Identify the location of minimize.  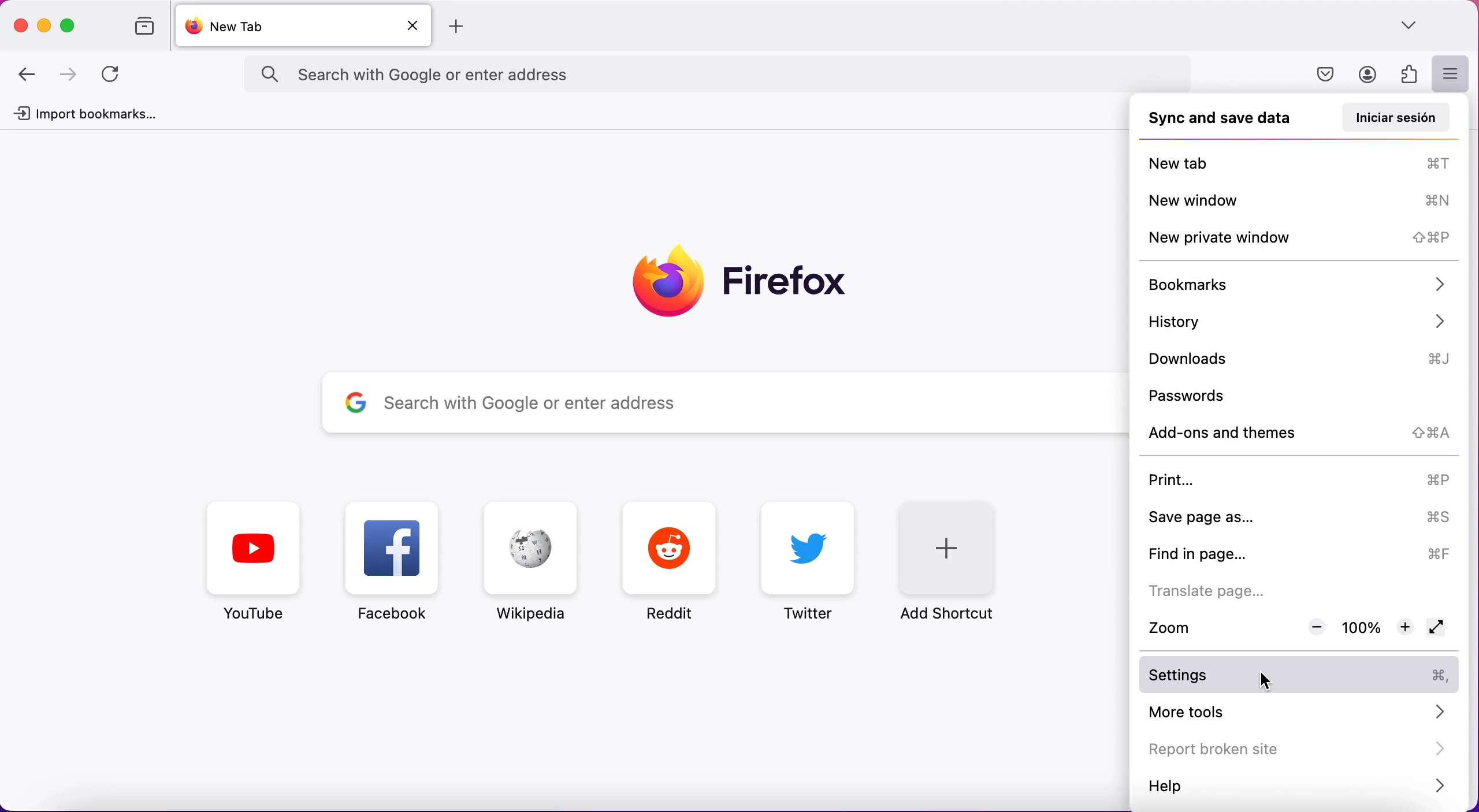
(44, 24).